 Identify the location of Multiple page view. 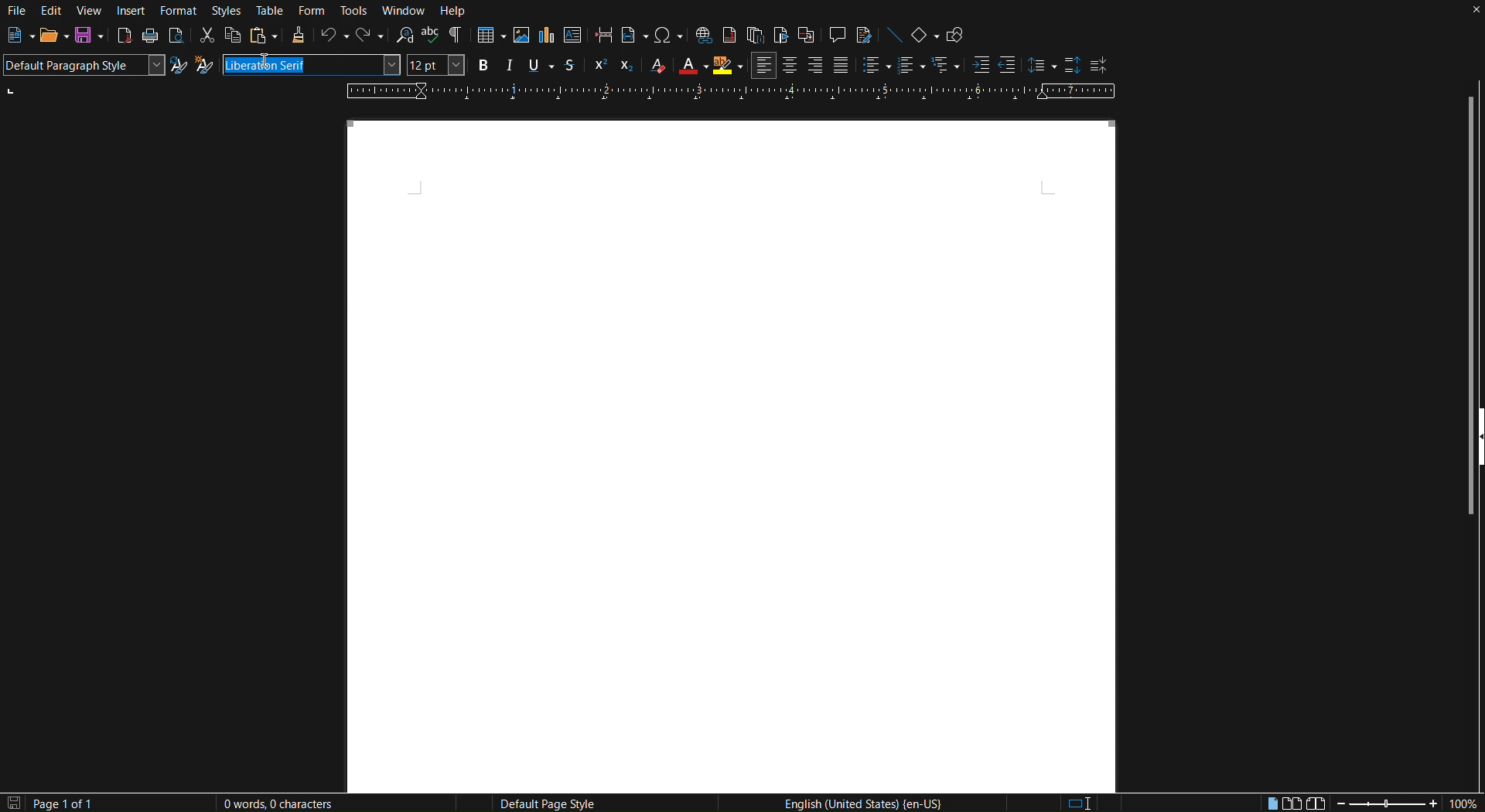
(1293, 801).